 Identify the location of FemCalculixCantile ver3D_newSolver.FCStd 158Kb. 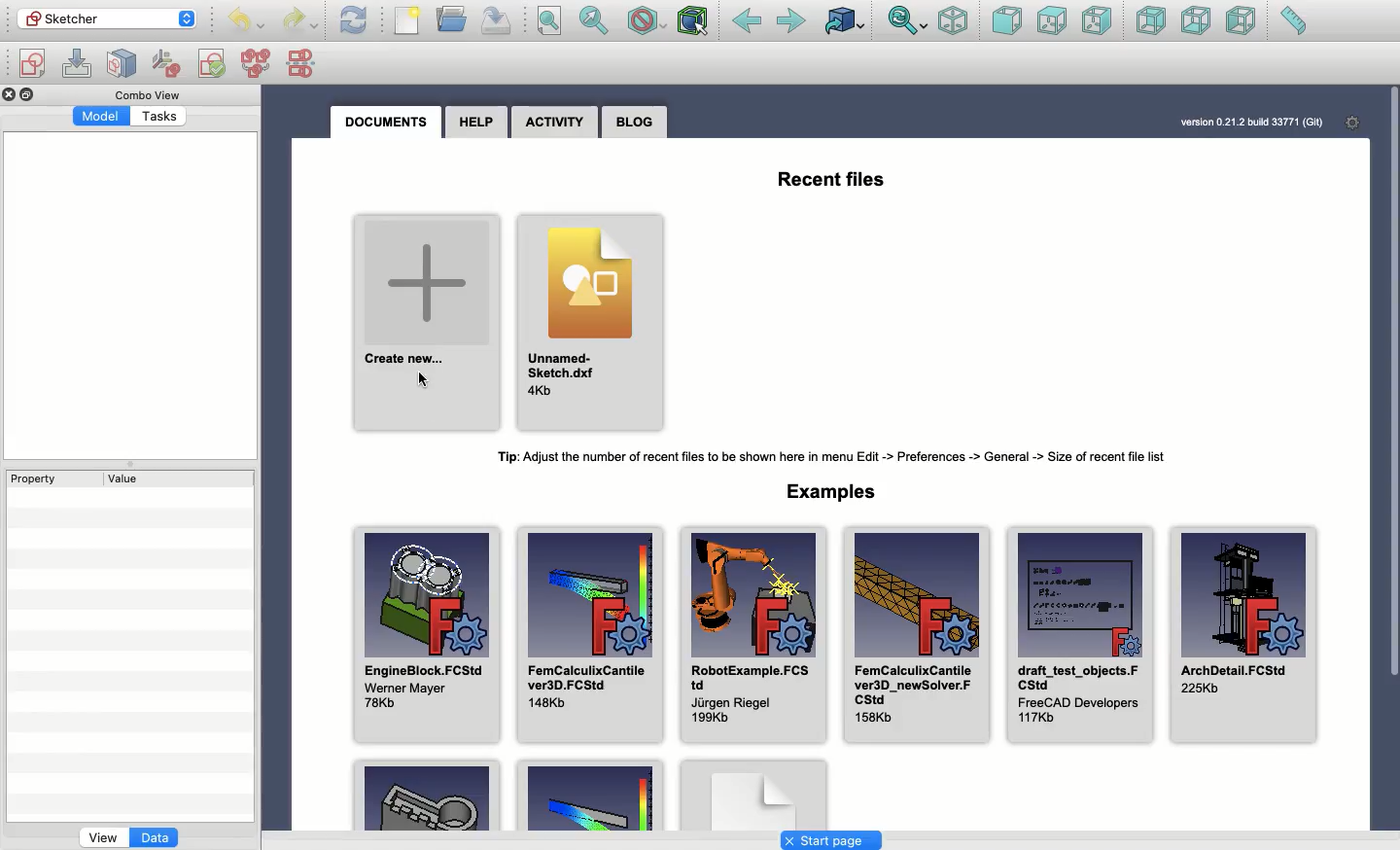
(917, 635).